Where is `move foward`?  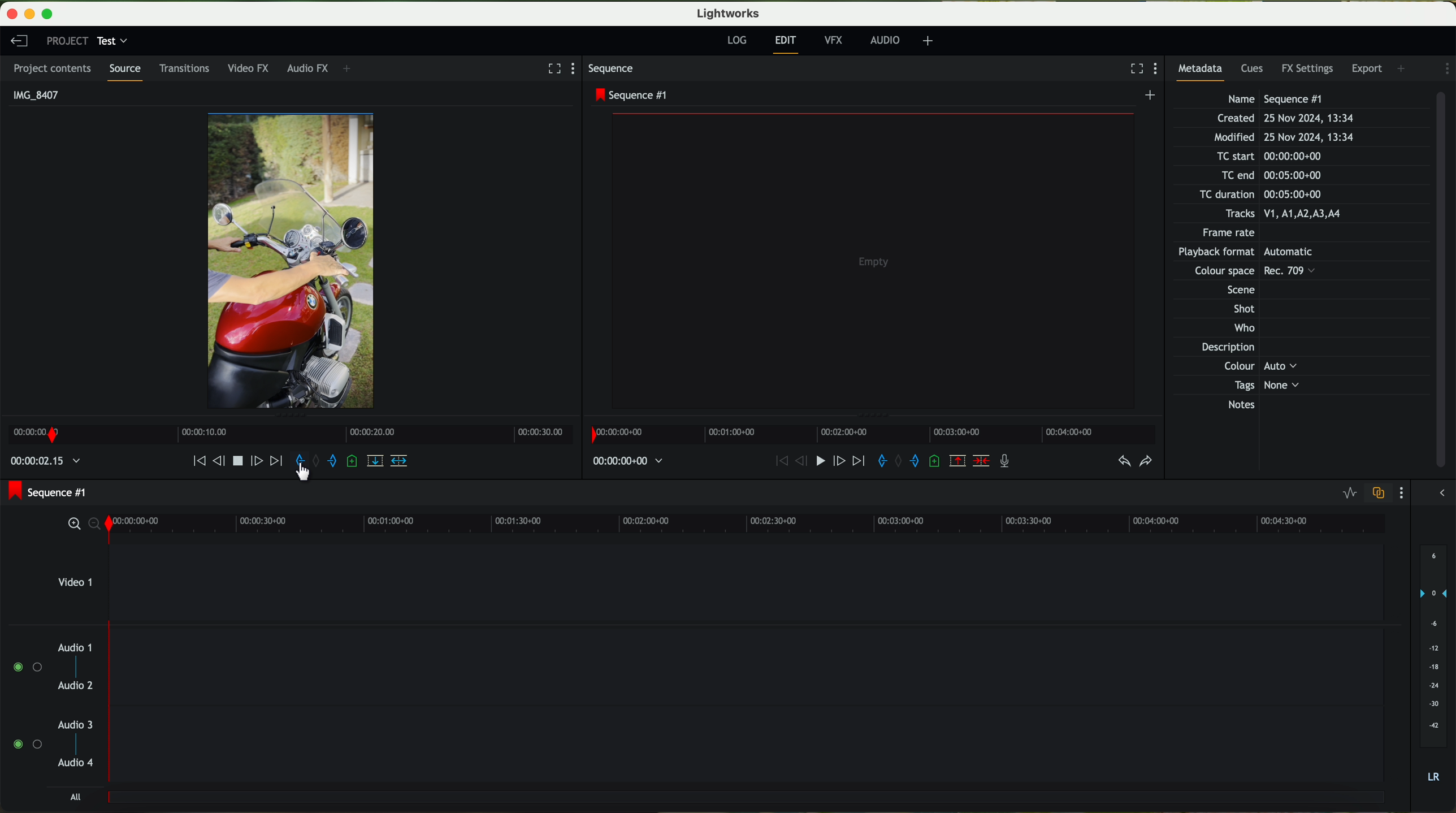 move foward is located at coordinates (856, 462).